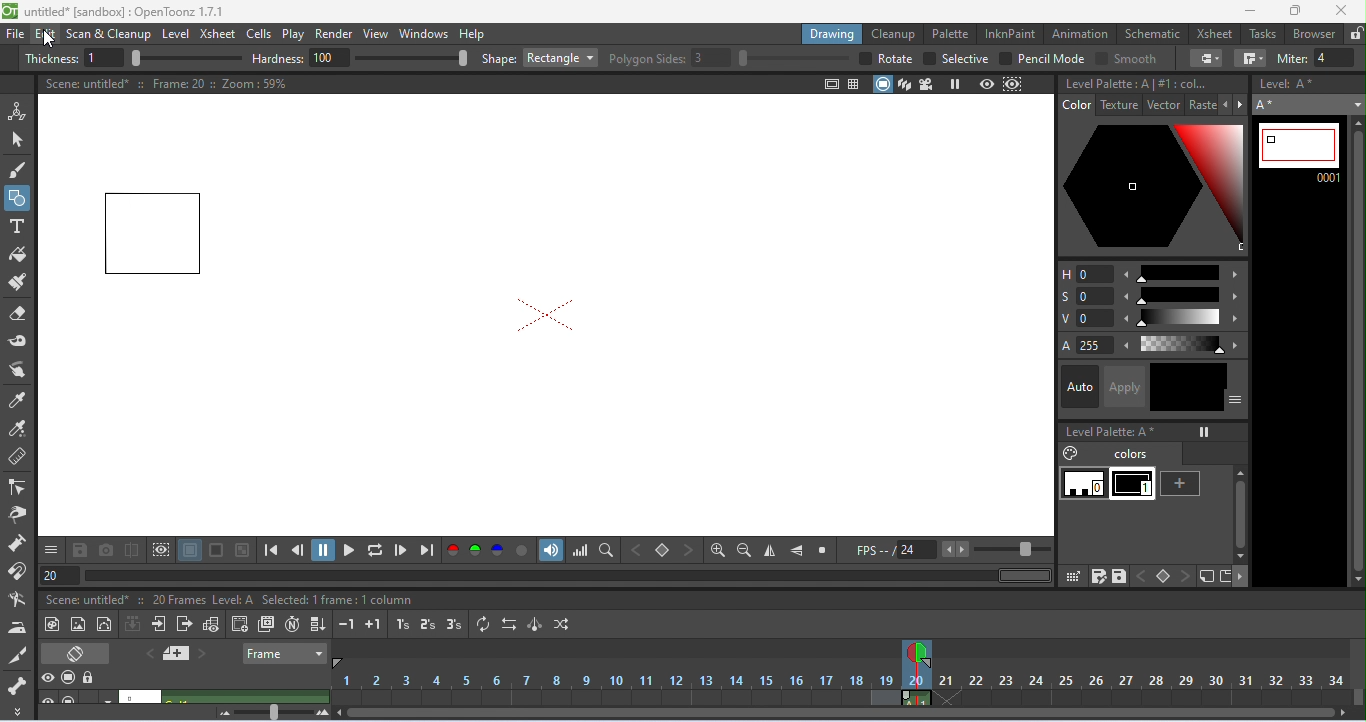 This screenshot has height=722, width=1366. What do you see at coordinates (1149, 347) in the screenshot?
I see `alpha` at bounding box center [1149, 347].